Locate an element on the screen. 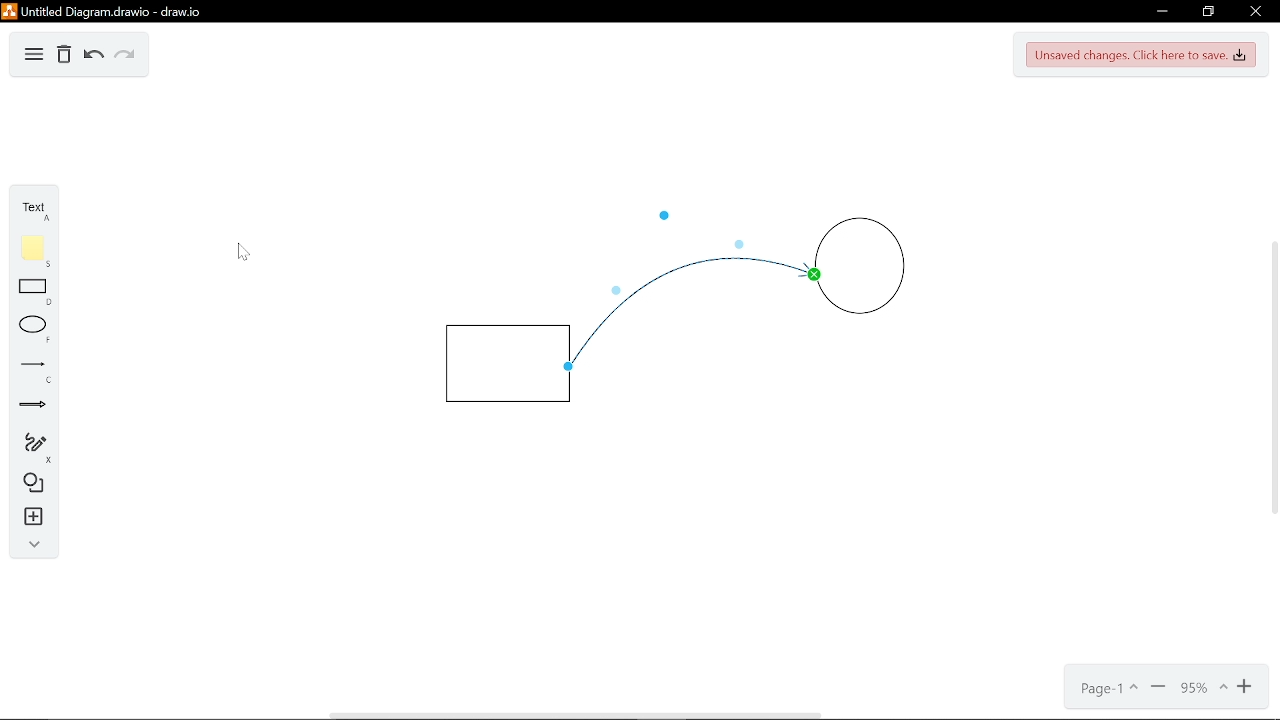 This screenshot has height=720, width=1280. Freehand is located at coordinates (28, 445).